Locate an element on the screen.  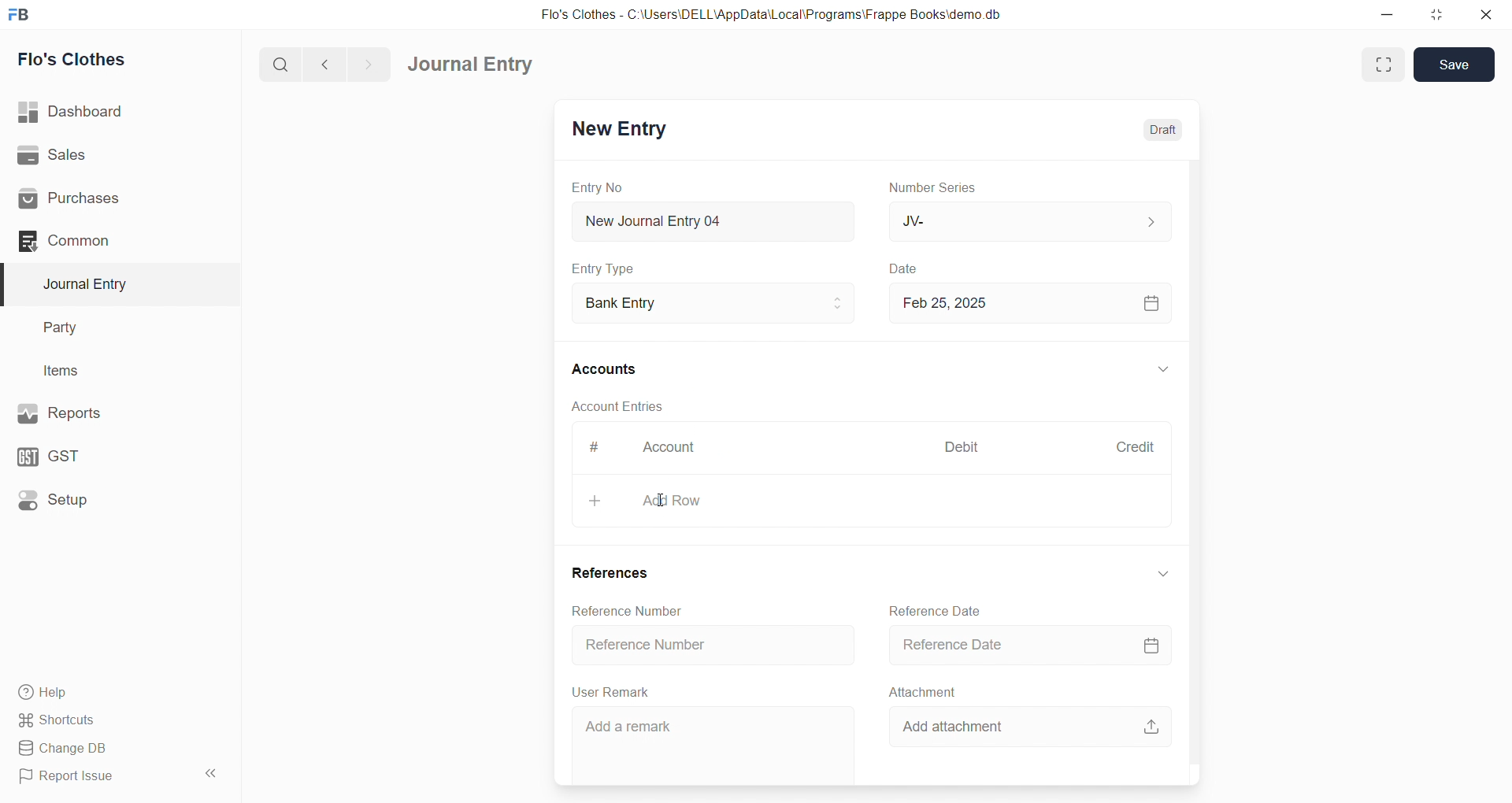
References is located at coordinates (614, 574).